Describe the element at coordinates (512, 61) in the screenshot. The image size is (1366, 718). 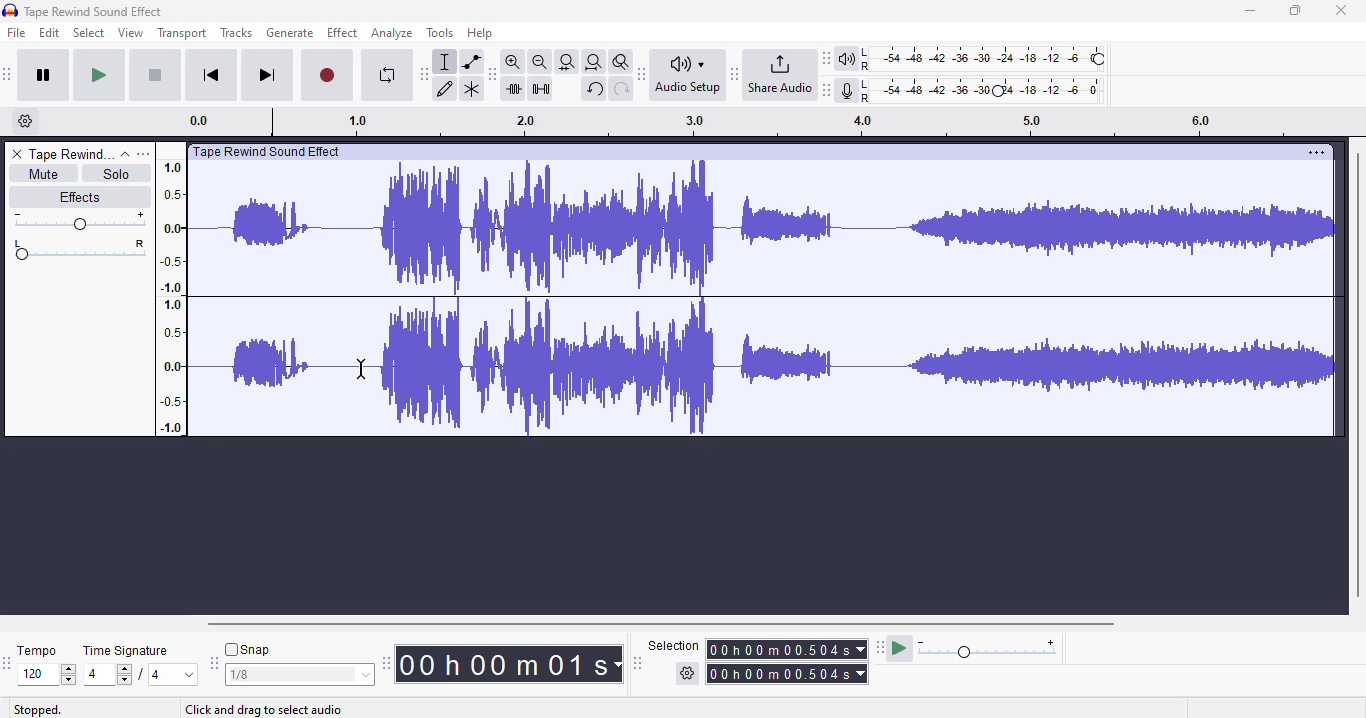
I see `zoom in` at that location.